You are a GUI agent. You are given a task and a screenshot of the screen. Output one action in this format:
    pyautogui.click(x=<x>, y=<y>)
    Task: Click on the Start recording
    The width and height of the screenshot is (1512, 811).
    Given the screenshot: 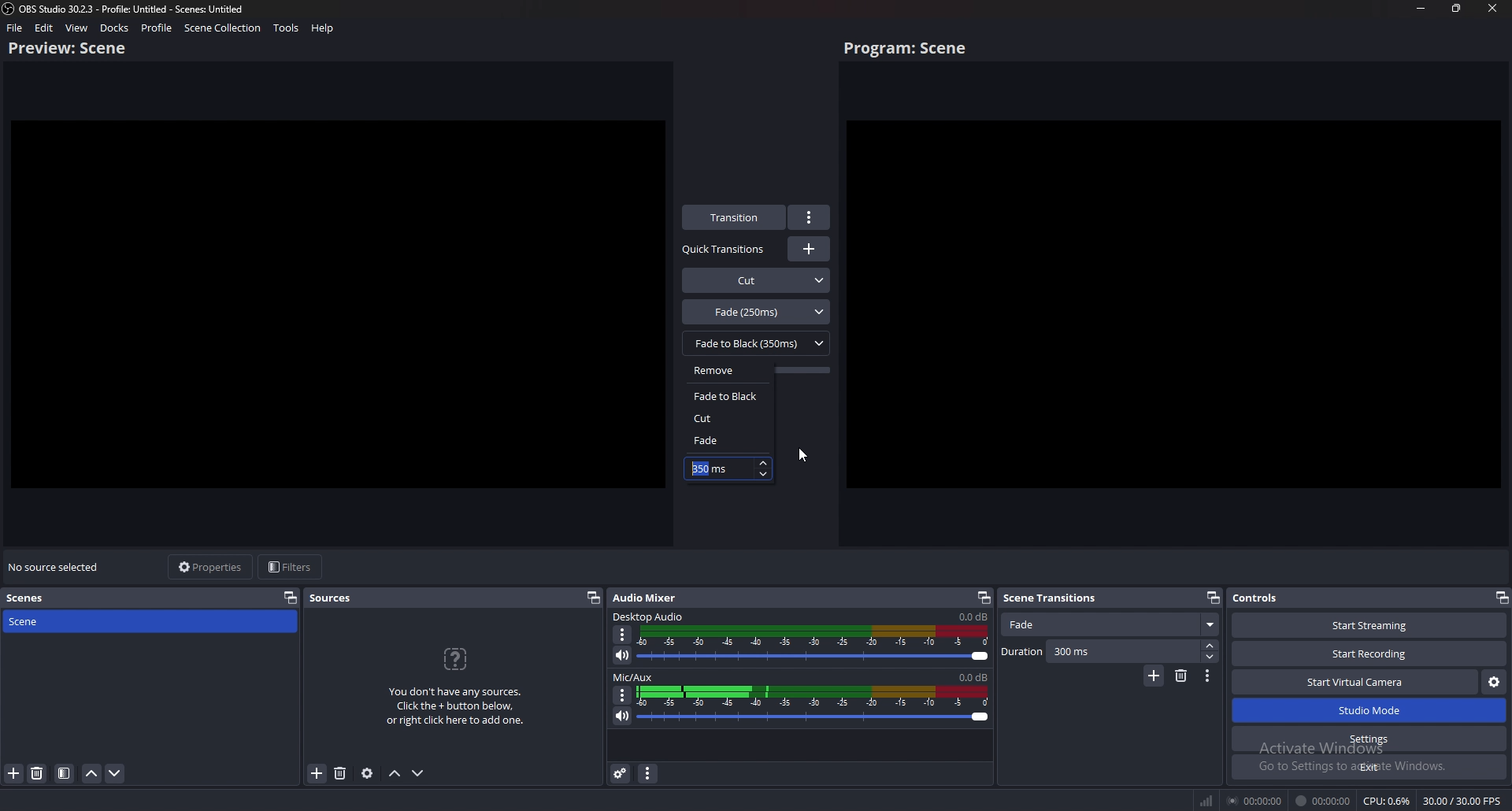 What is the action you would take?
    pyautogui.click(x=1370, y=654)
    